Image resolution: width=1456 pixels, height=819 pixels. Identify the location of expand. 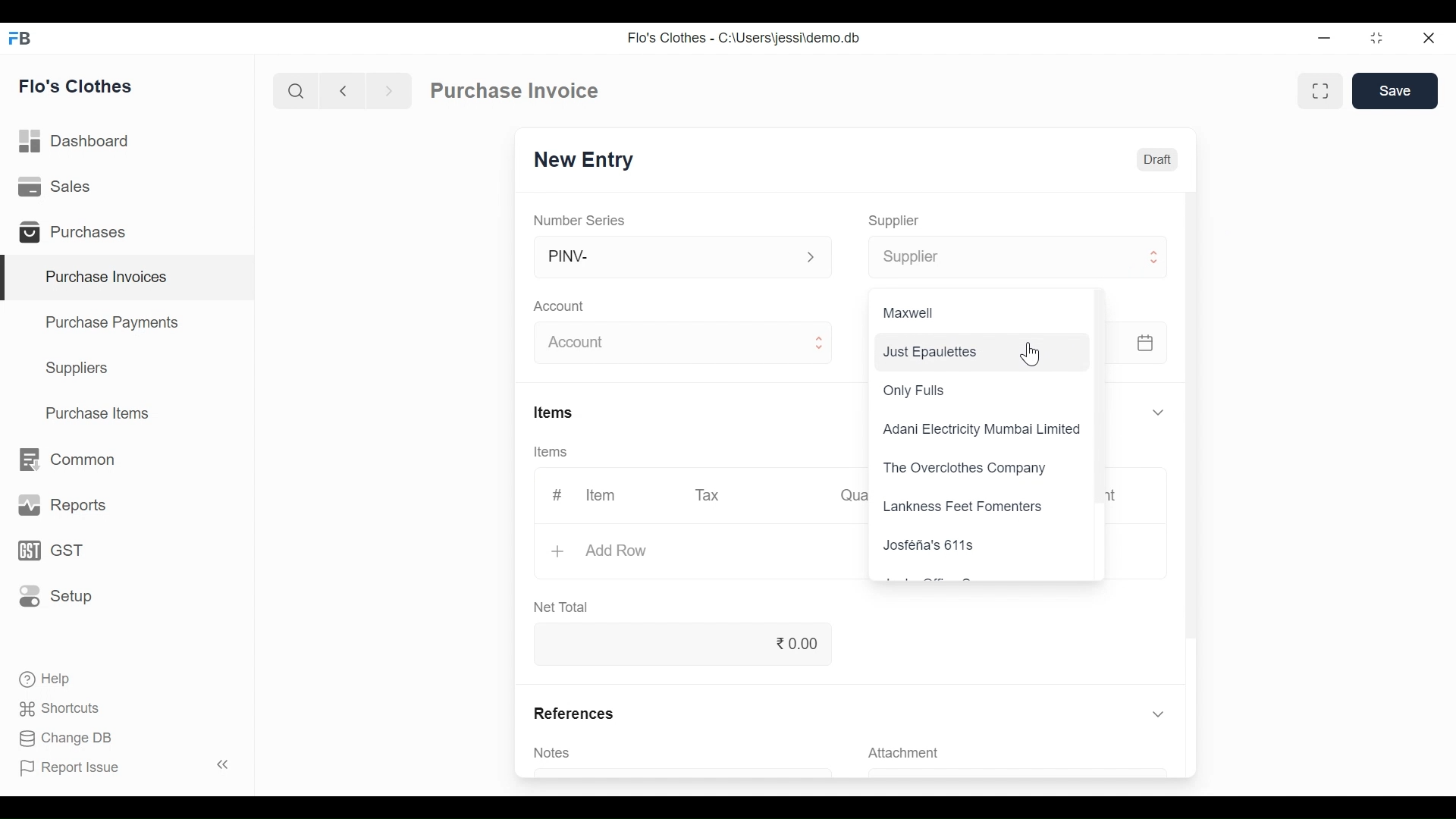
(811, 257).